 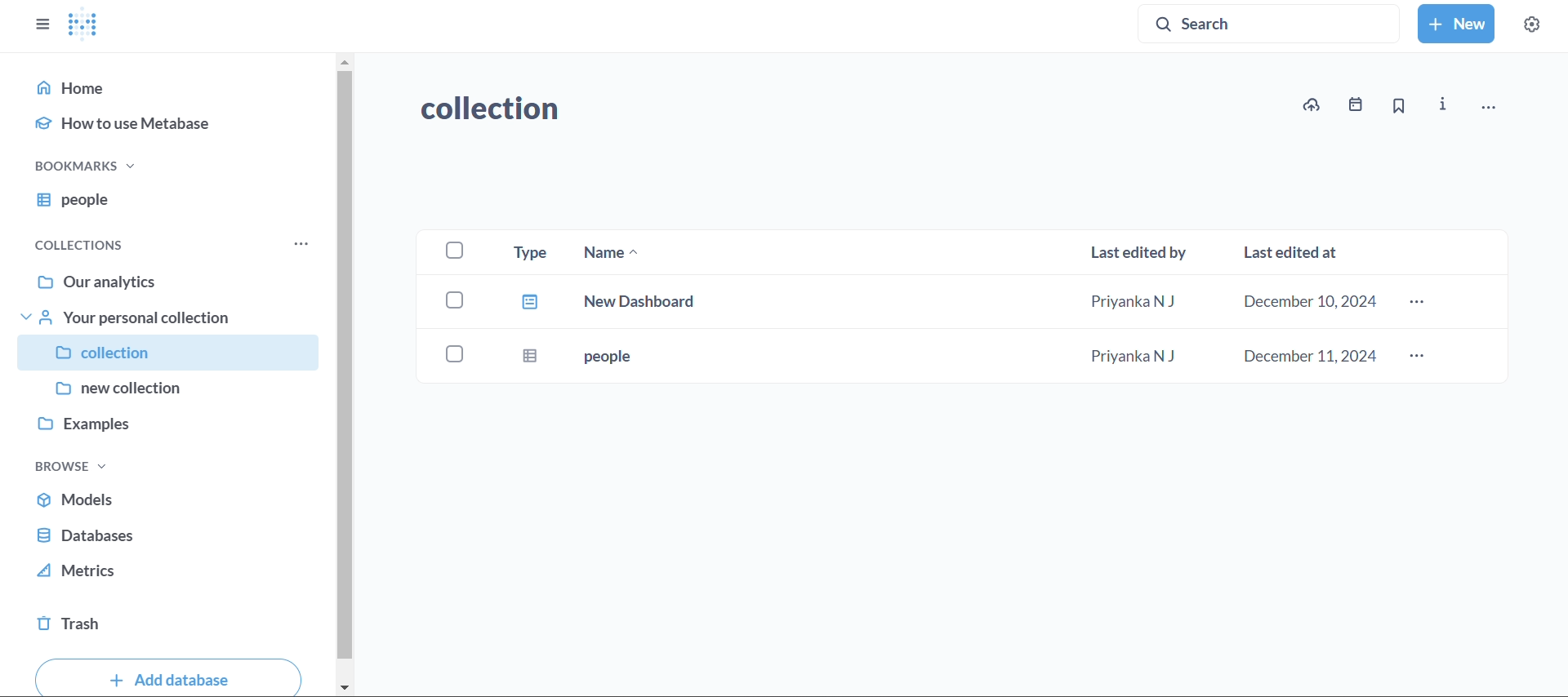 What do you see at coordinates (619, 252) in the screenshot?
I see `name` at bounding box center [619, 252].